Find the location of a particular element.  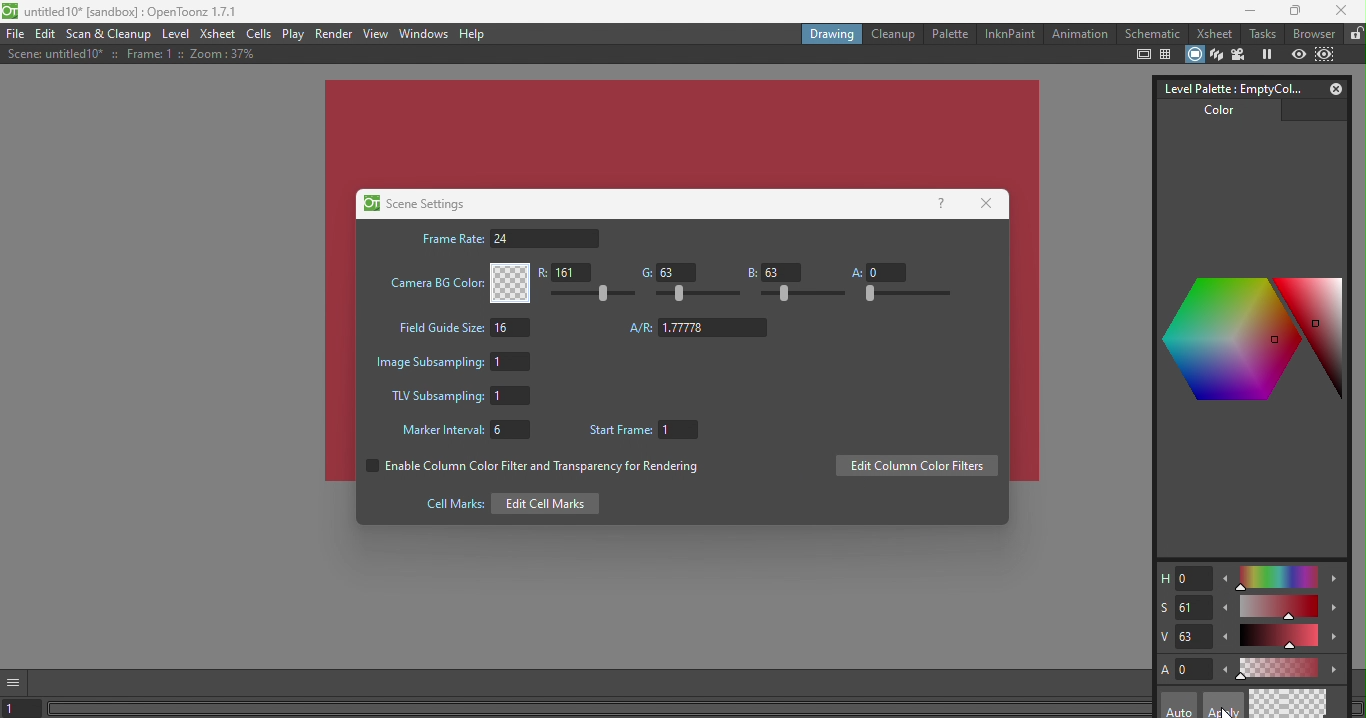

close is located at coordinates (1344, 13).